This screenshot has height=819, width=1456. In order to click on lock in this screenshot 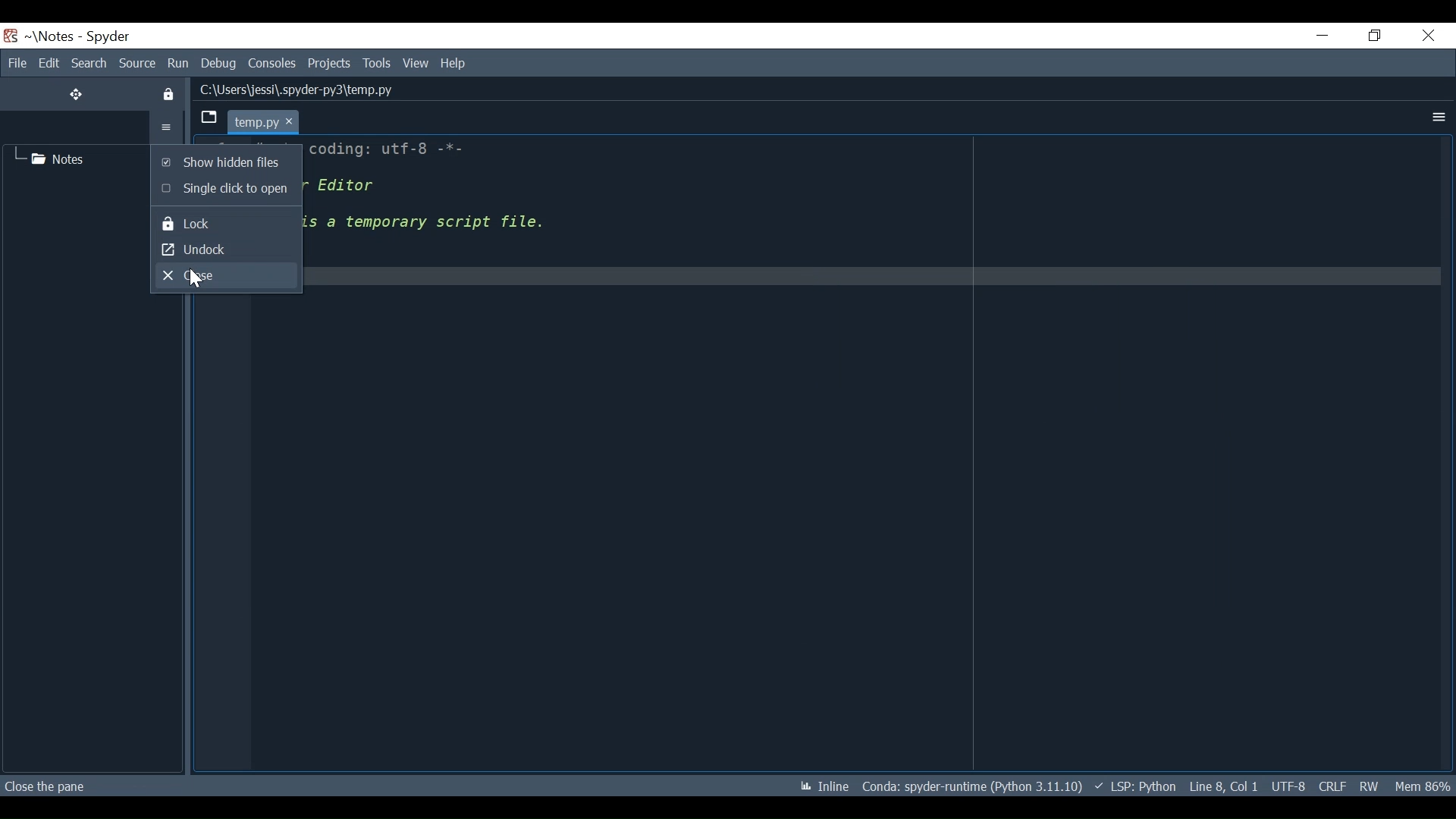, I will do `click(170, 95)`.